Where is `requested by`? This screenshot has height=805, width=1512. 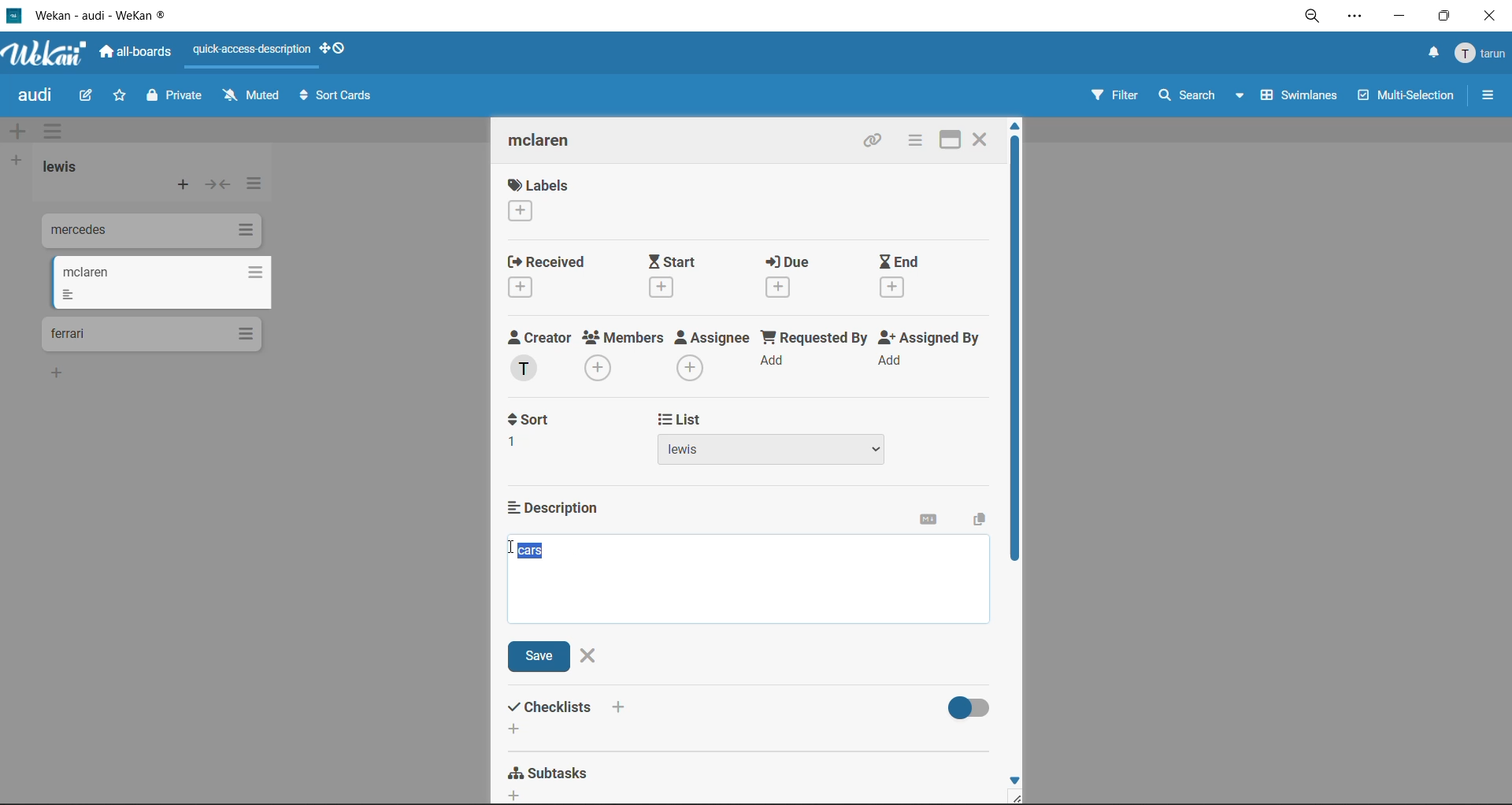 requested by is located at coordinates (813, 354).